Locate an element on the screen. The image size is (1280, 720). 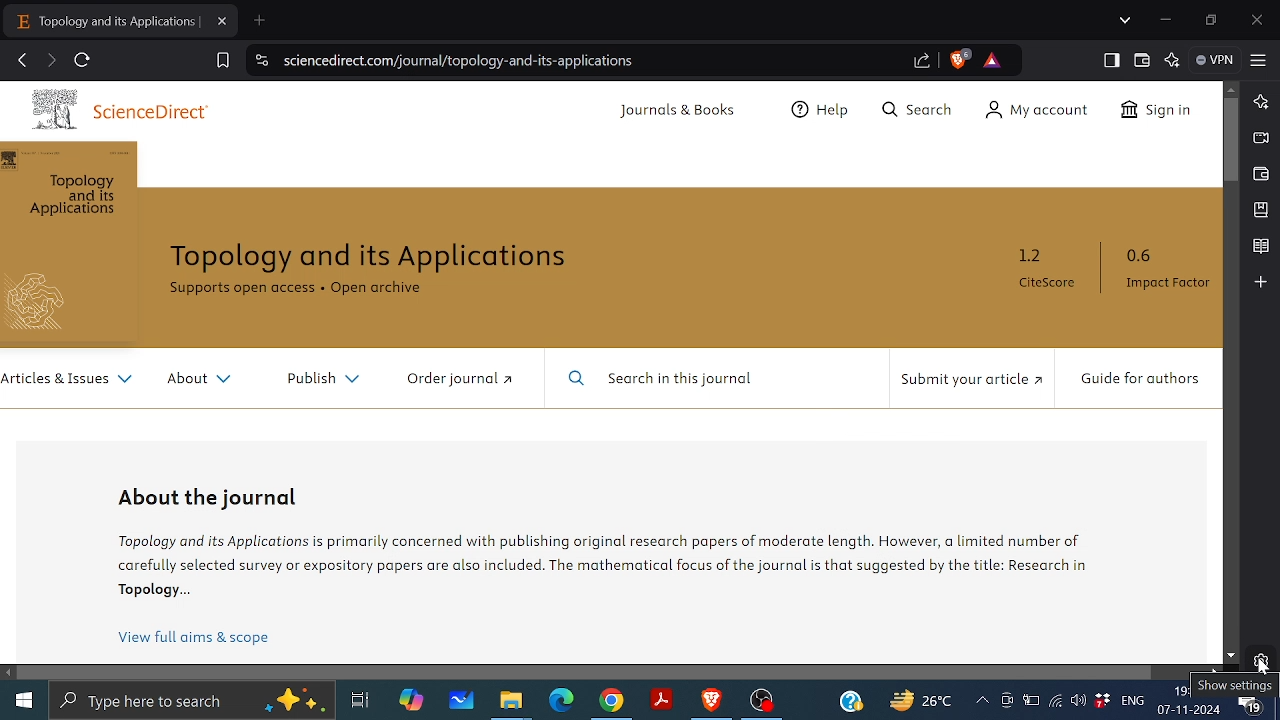
Help is located at coordinates (851, 701).